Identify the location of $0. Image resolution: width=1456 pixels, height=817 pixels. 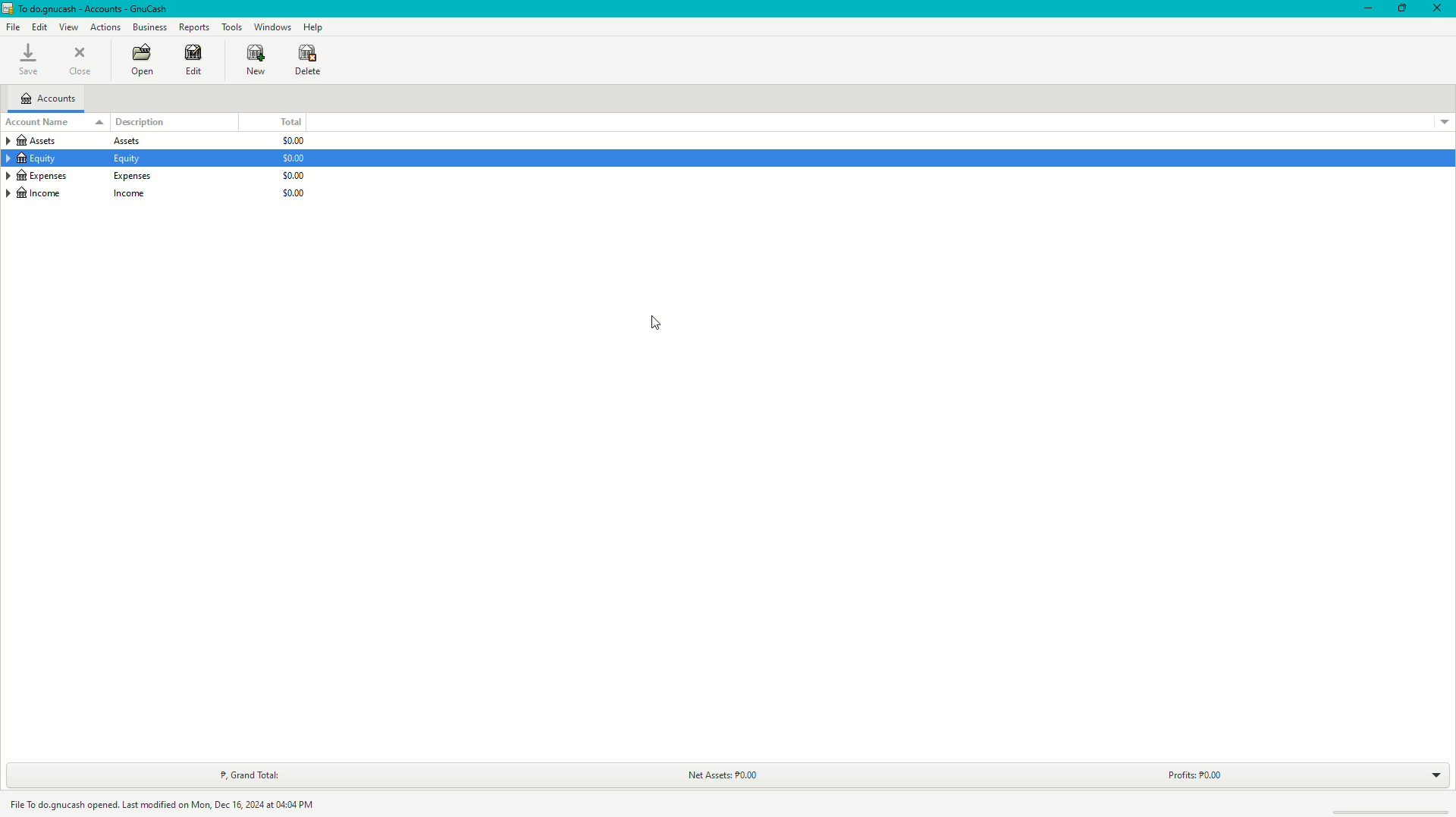
(293, 191).